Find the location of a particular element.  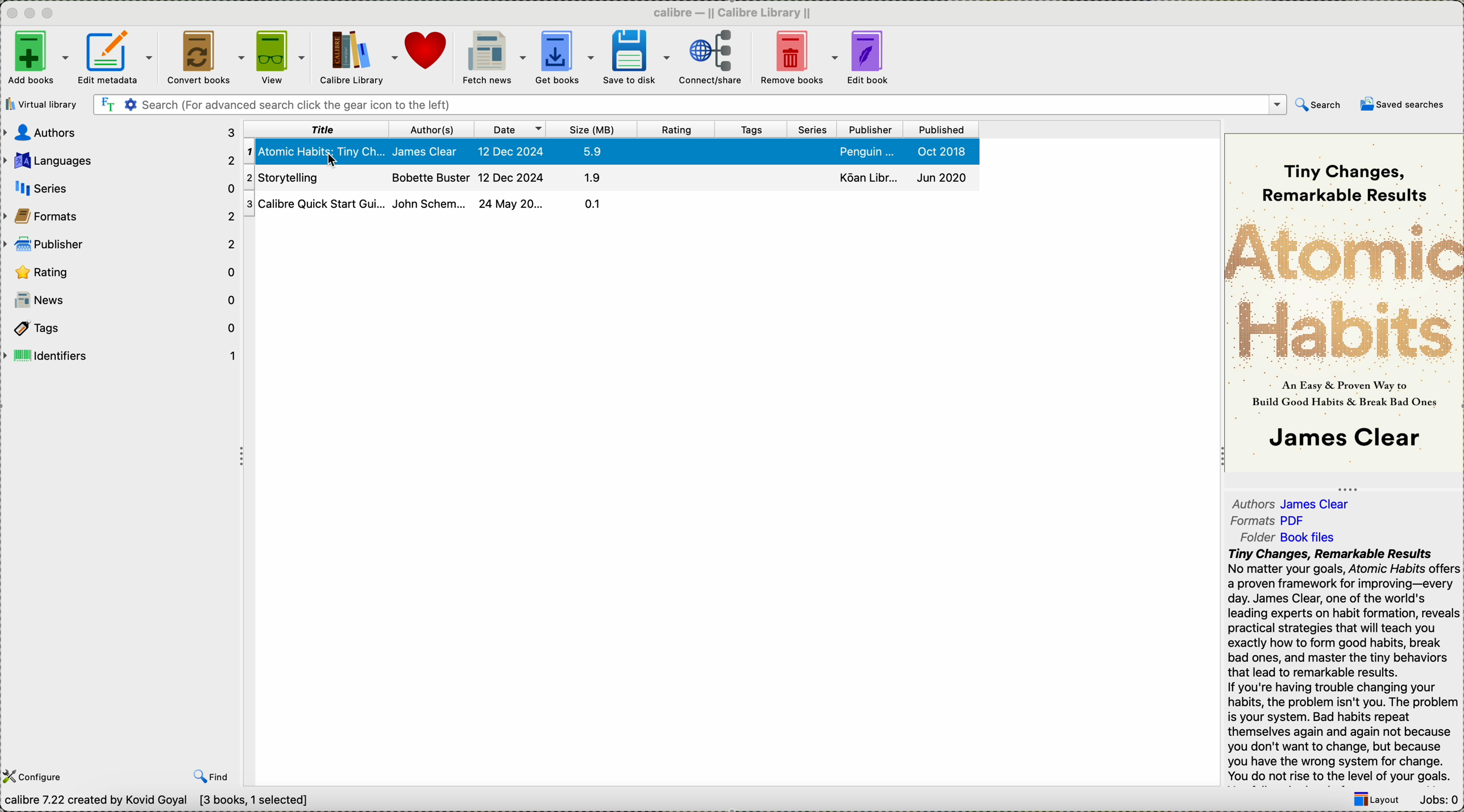

saved searches is located at coordinates (1403, 104).